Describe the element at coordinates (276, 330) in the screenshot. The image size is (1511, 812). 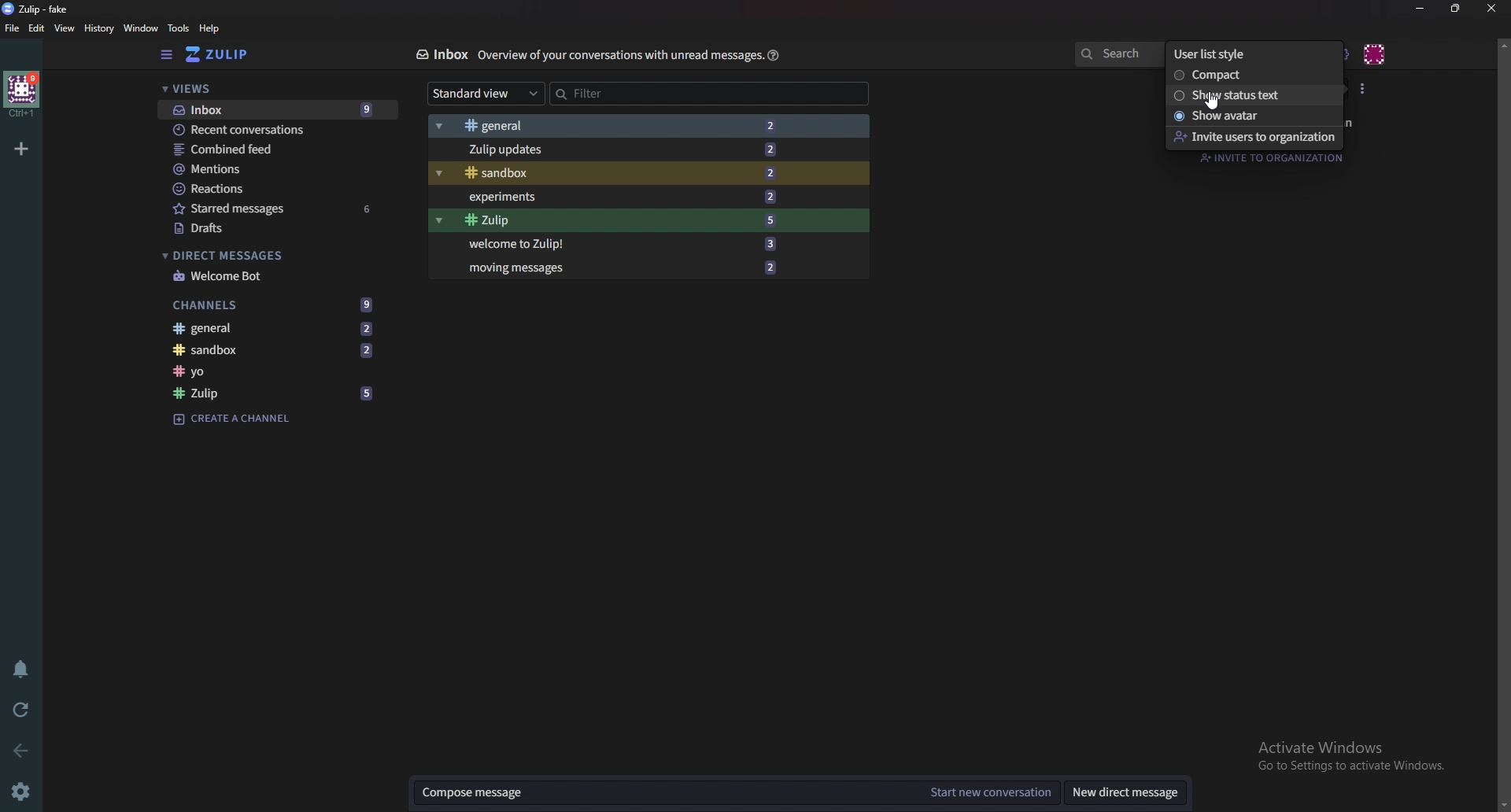
I see `General` at that location.